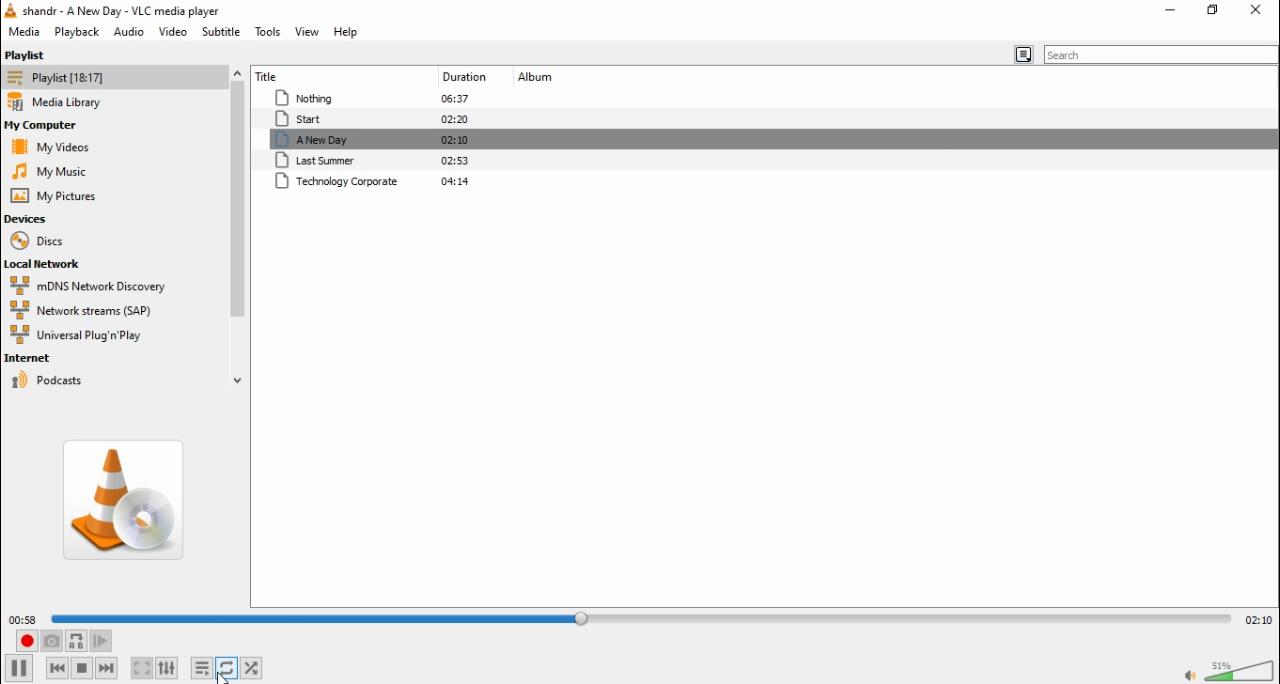 The width and height of the screenshot is (1280, 684). What do you see at coordinates (1020, 55) in the screenshot?
I see `toggle playlist view` at bounding box center [1020, 55].